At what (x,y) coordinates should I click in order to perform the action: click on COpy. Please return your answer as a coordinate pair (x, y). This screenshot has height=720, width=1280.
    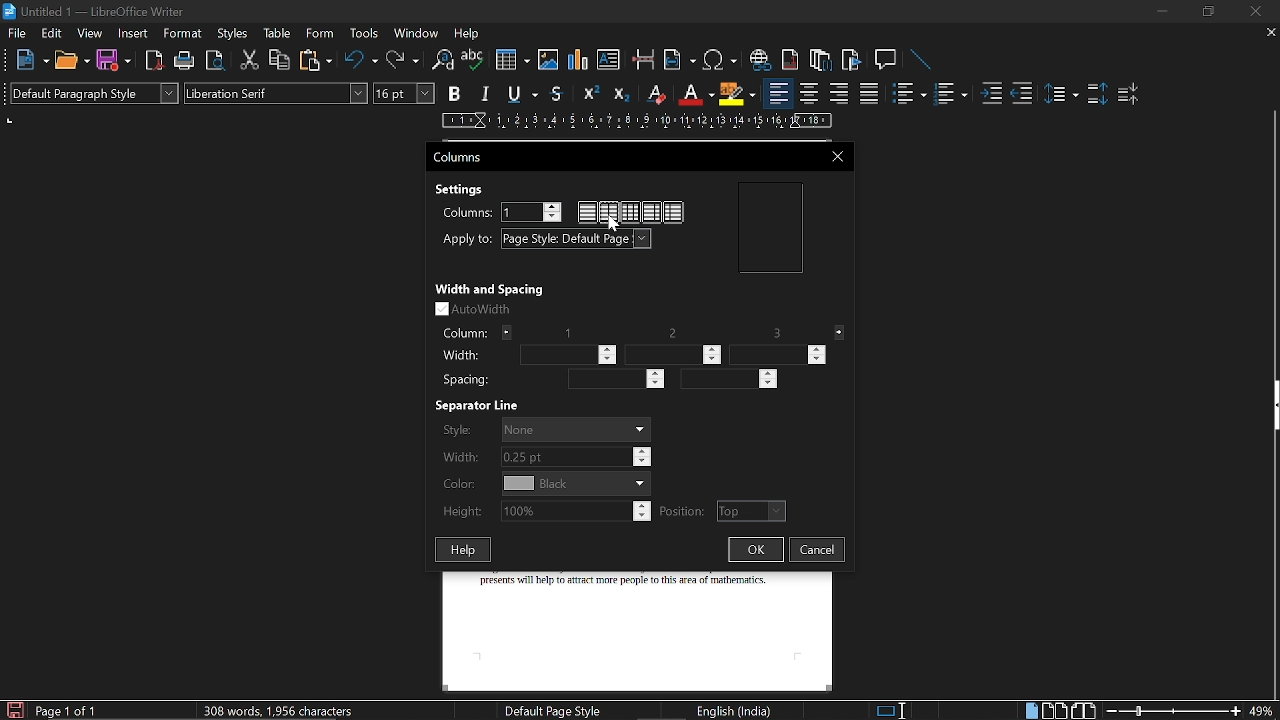
    Looking at the image, I should click on (281, 61).